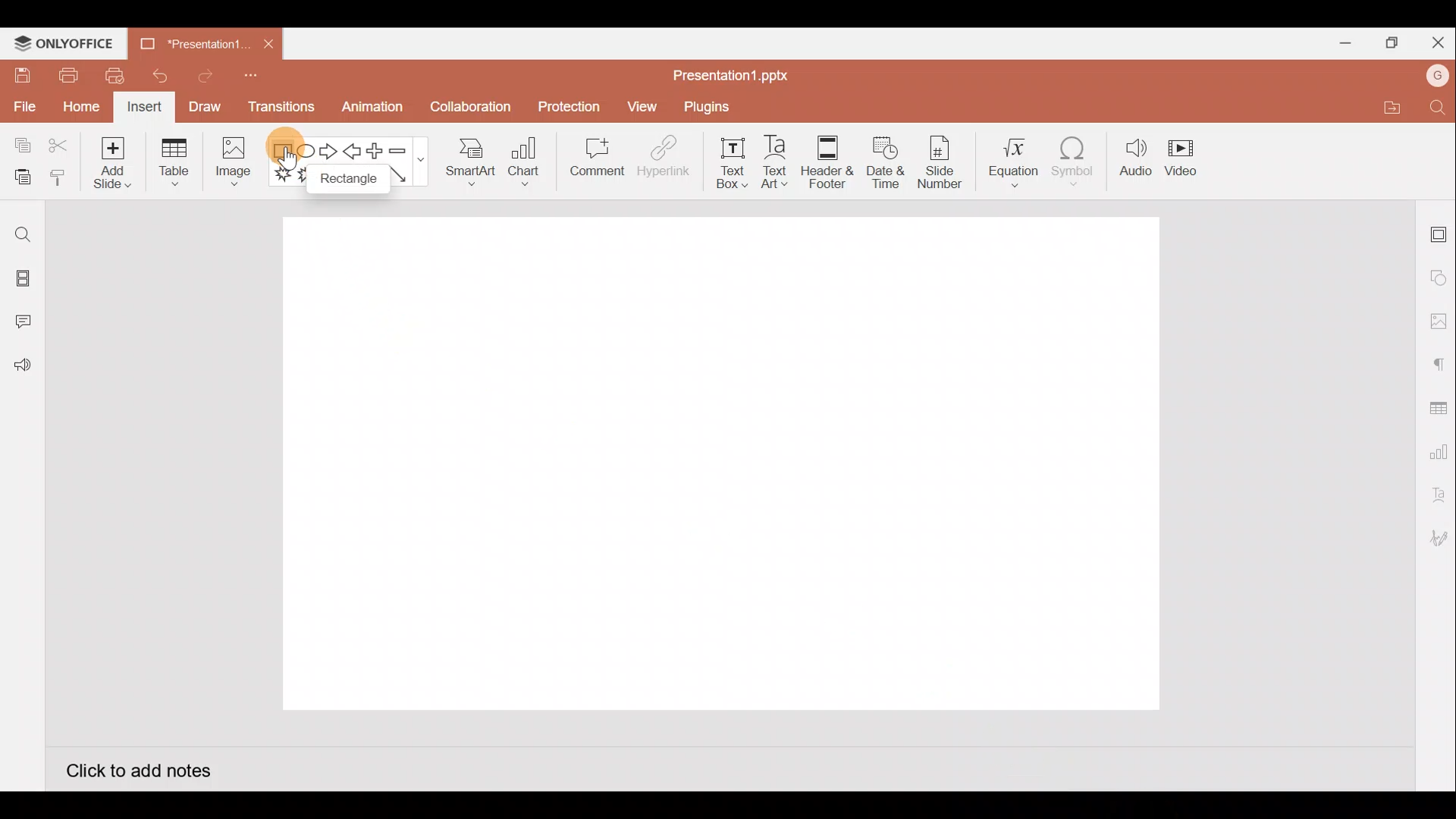 The height and width of the screenshot is (819, 1456). Describe the element at coordinates (81, 108) in the screenshot. I see `Home` at that location.